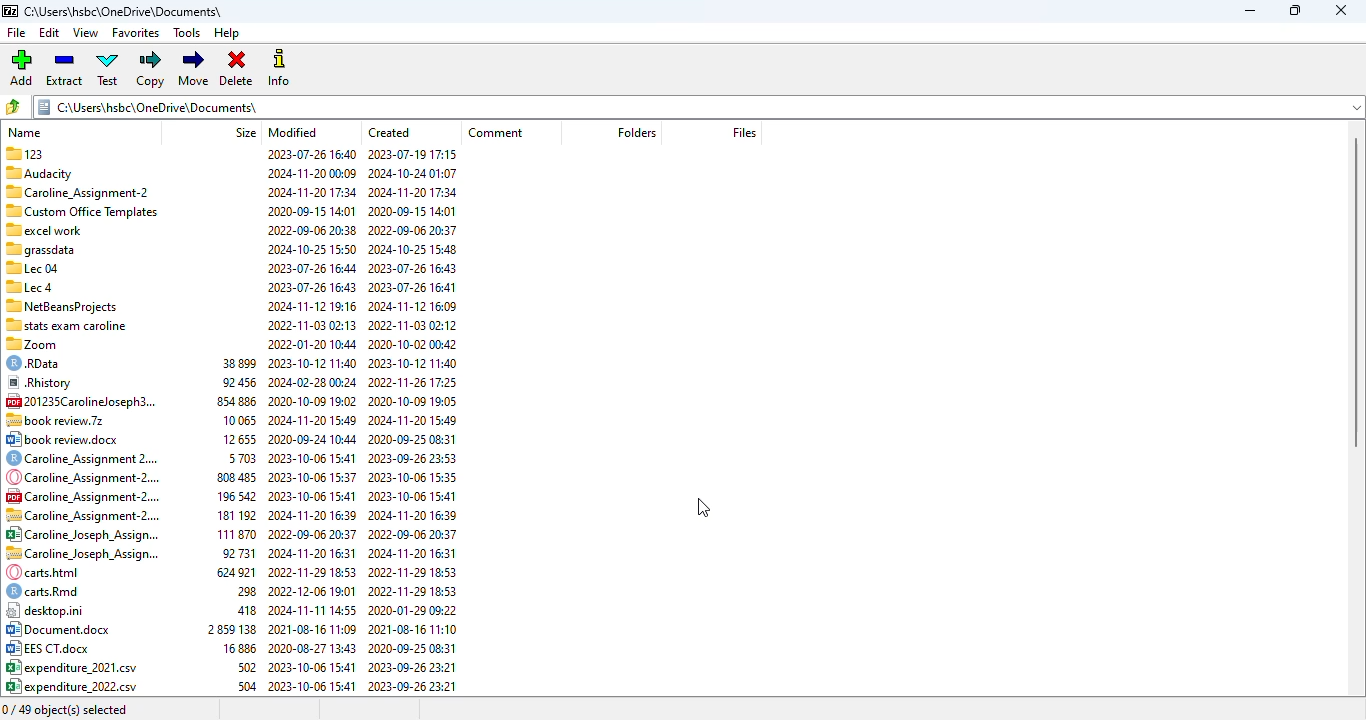  Describe the element at coordinates (230, 325) in the screenshot. I see `208 Zoom 2022-01-20 10:44 2020-10-02 00:42` at that location.